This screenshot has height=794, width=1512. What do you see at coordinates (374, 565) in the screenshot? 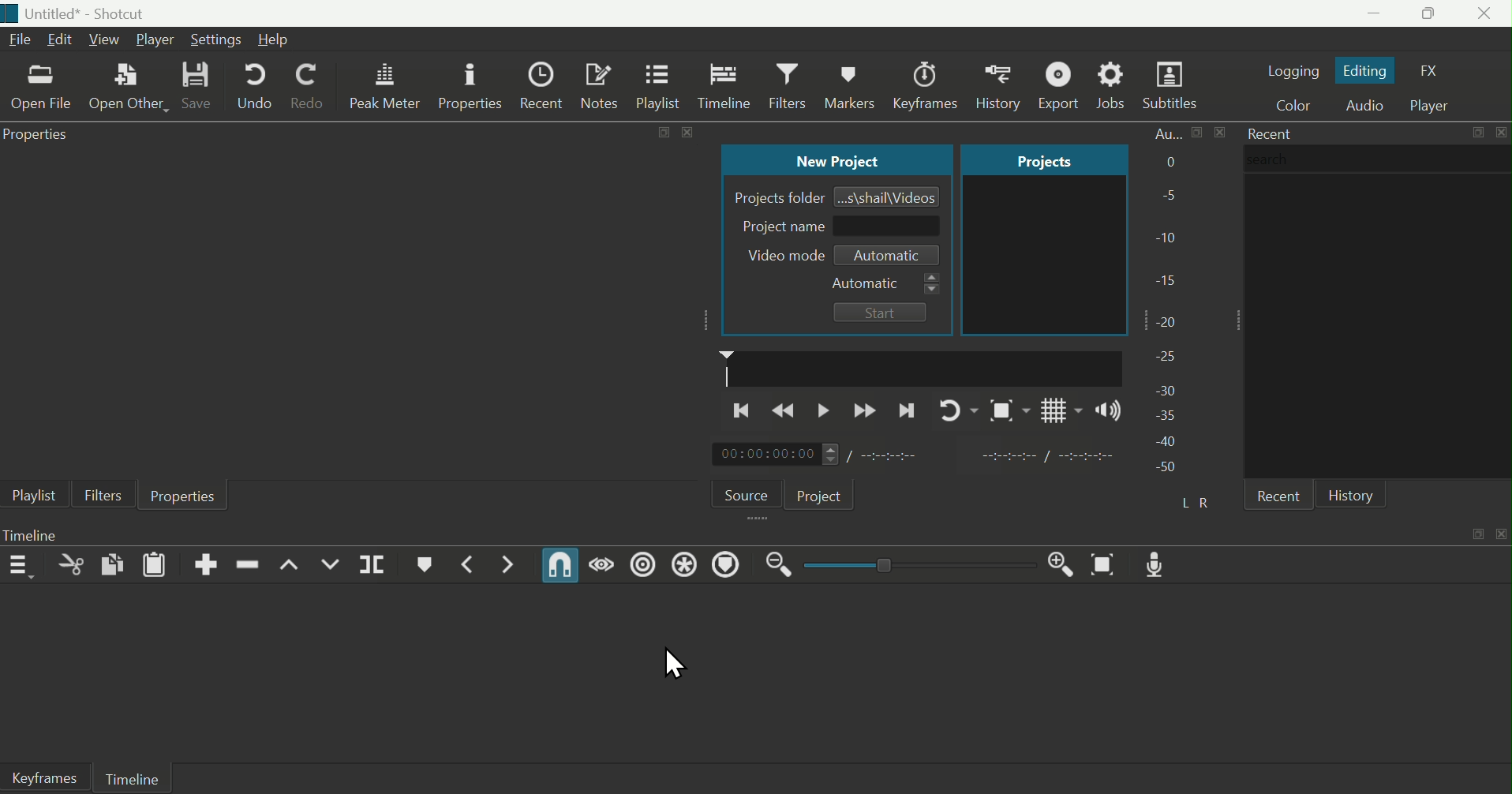
I see `Split At Playhead` at bounding box center [374, 565].